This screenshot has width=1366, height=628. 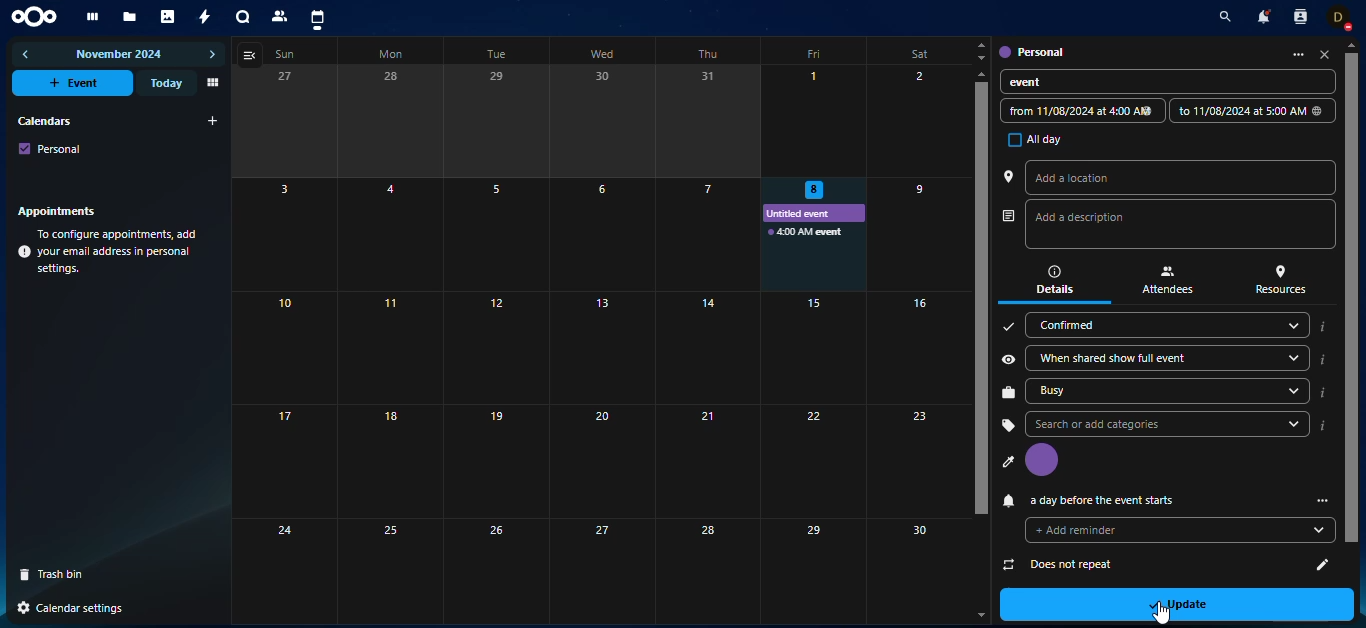 What do you see at coordinates (169, 17) in the screenshot?
I see `photos` at bounding box center [169, 17].